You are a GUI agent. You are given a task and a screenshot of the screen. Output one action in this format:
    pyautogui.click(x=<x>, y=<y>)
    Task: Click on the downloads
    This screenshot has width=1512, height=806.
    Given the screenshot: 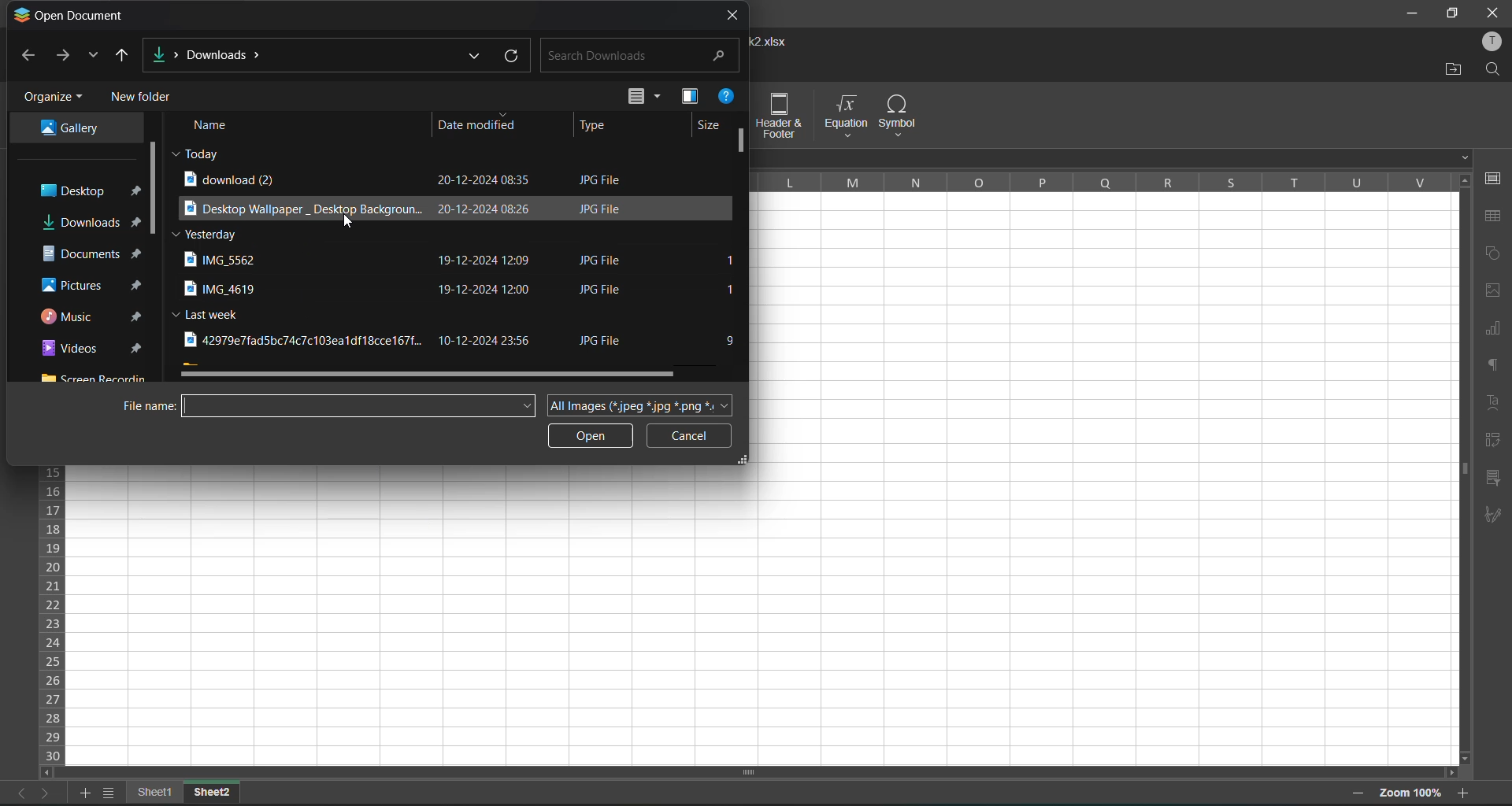 What is the action you would take?
    pyautogui.click(x=84, y=222)
    